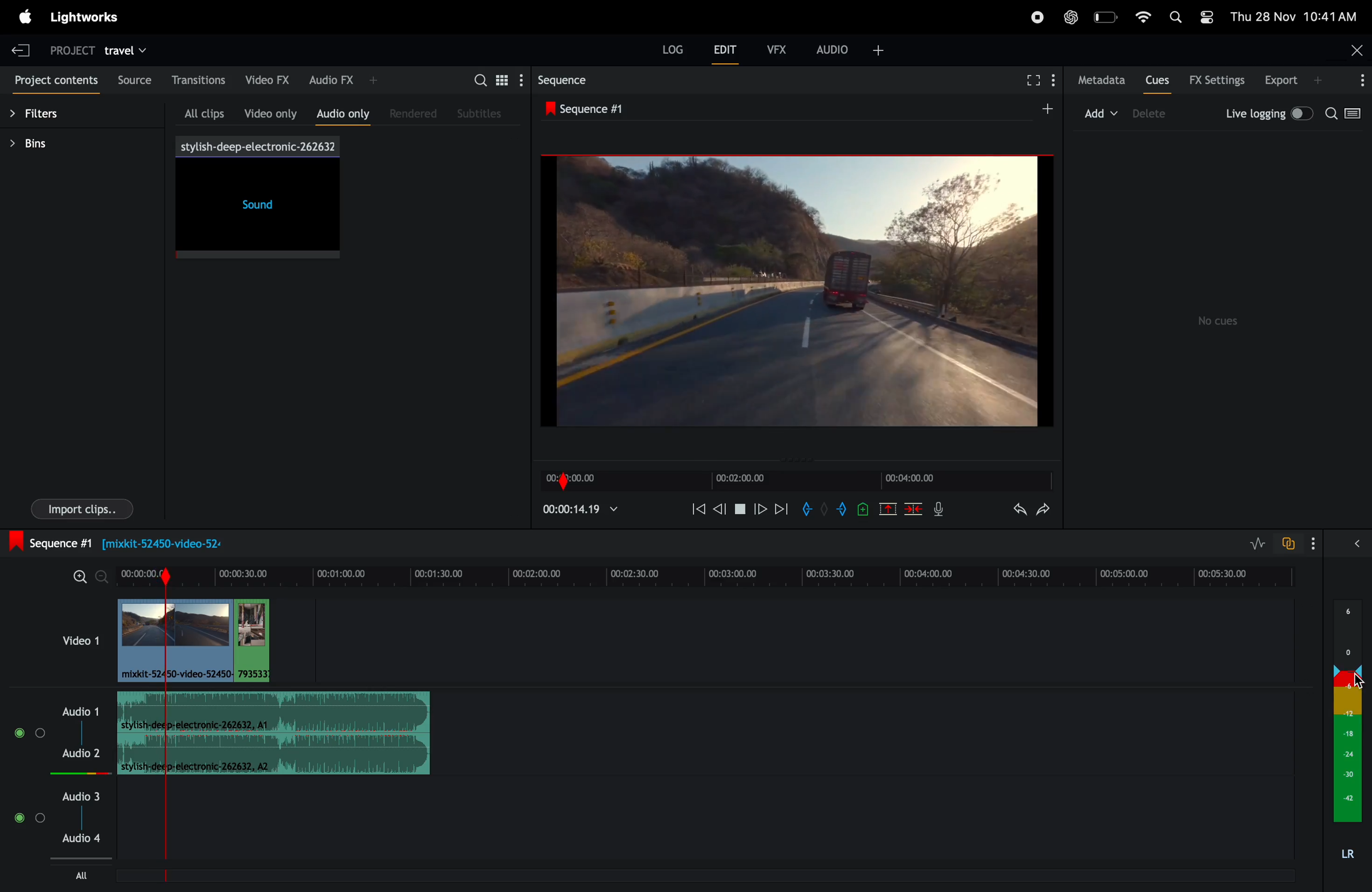 This screenshot has width=1372, height=892. What do you see at coordinates (1034, 16) in the screenshot?
I see `record` at bounding box center [1034, 16].